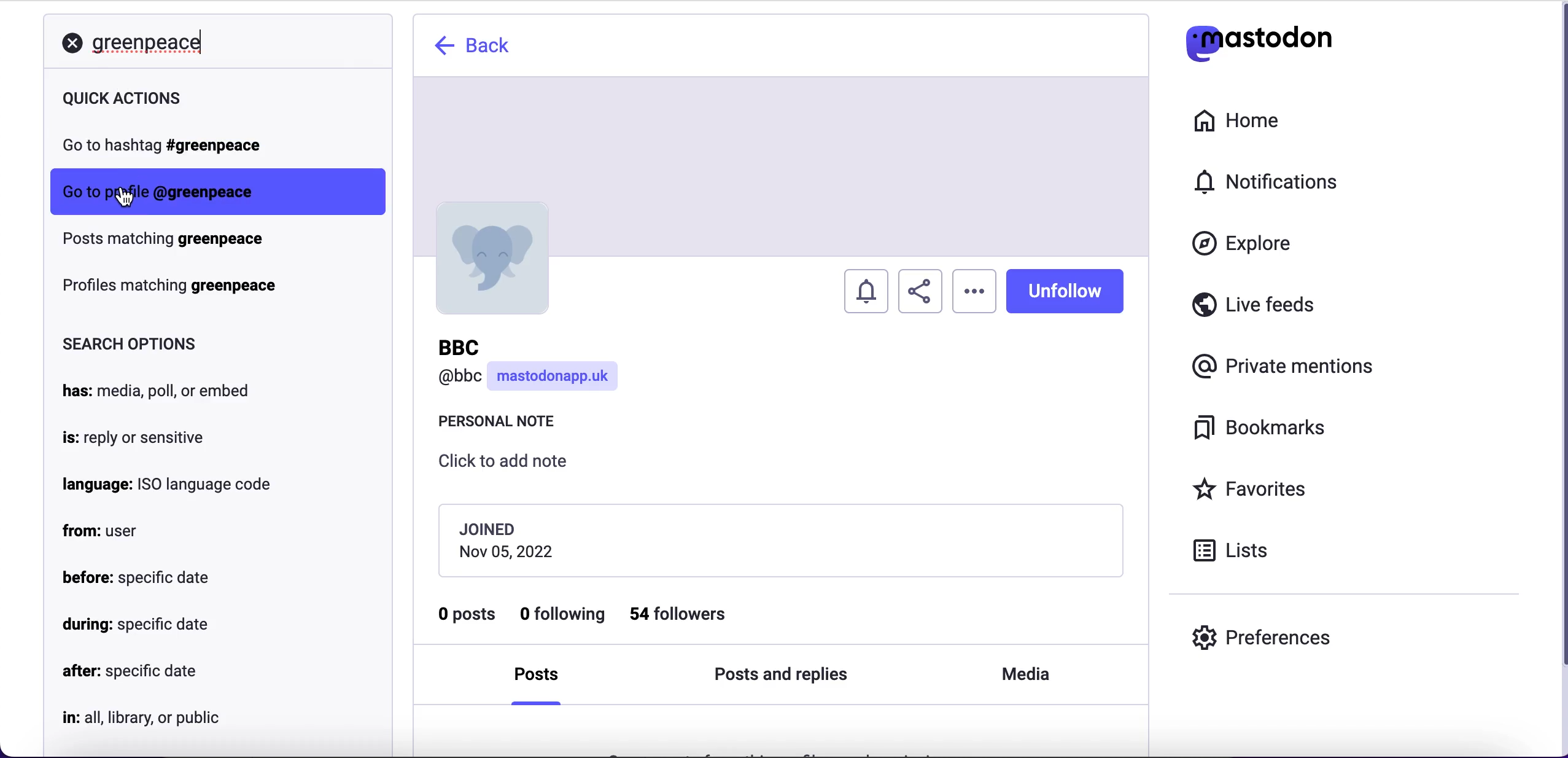 The height and width of the screenshot is (758, 1568). I want to click on favorites, so click(1254, 491).